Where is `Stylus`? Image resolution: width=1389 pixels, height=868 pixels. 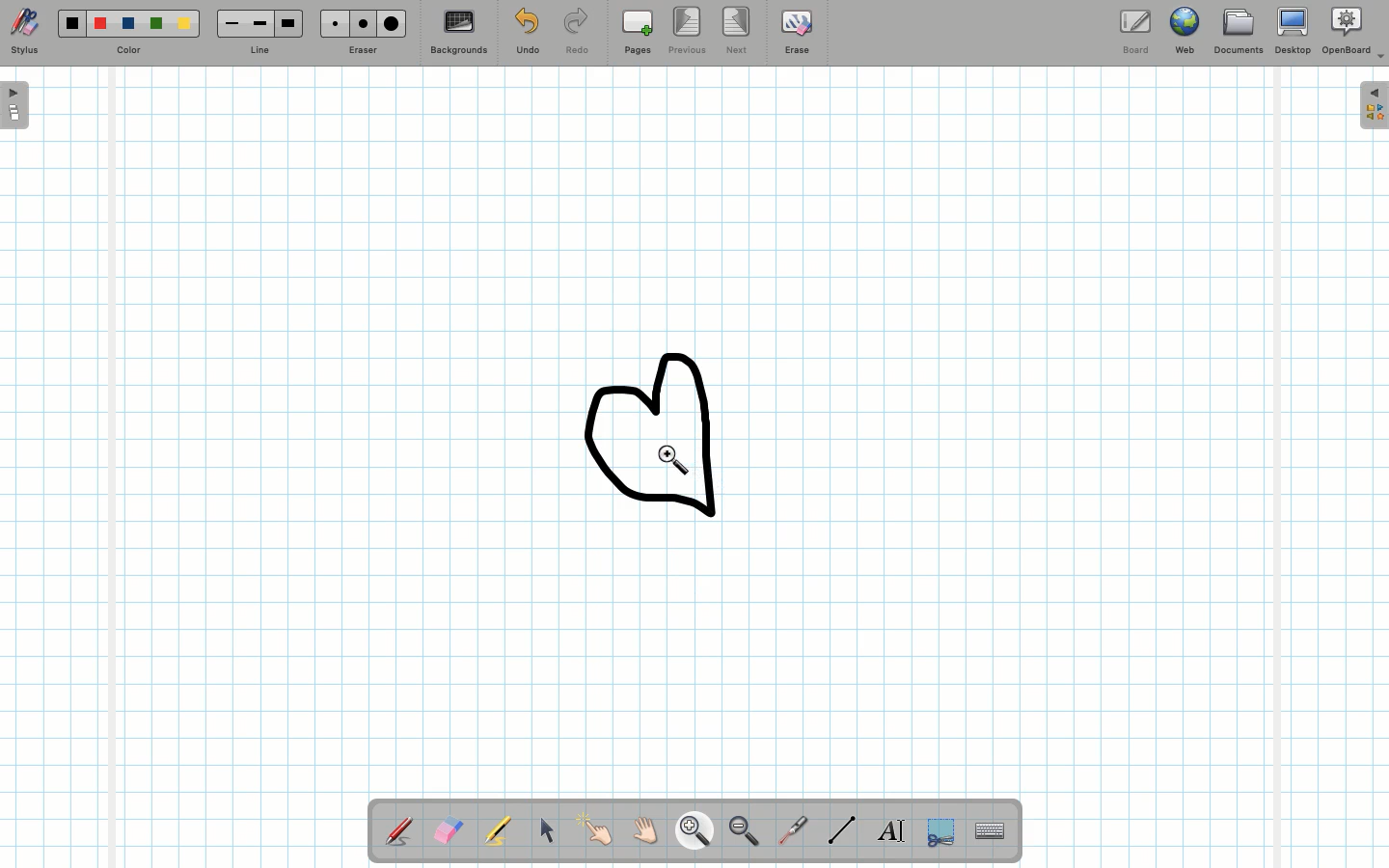
Stylus is located at coordinates (26, 32).